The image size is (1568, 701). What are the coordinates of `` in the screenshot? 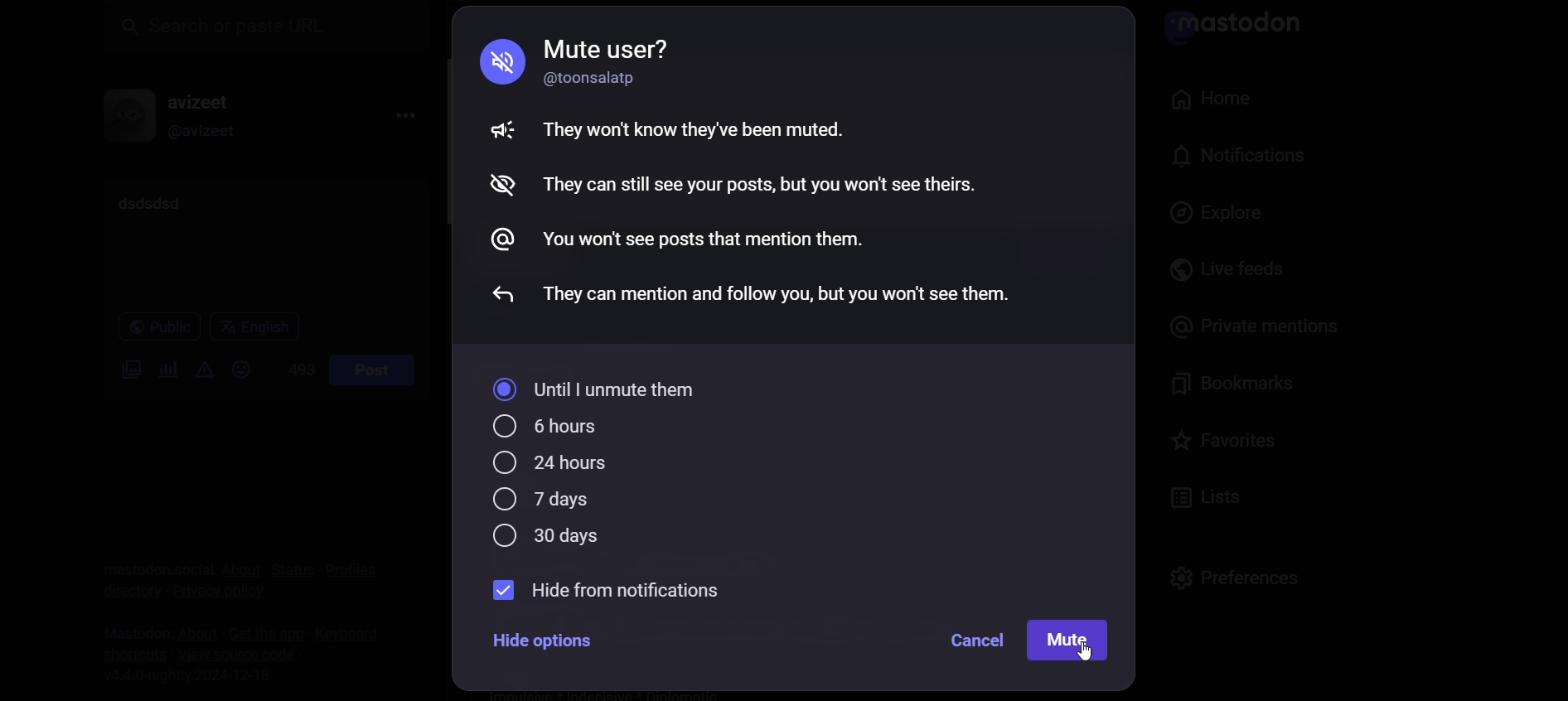 It's located at (505, 186).